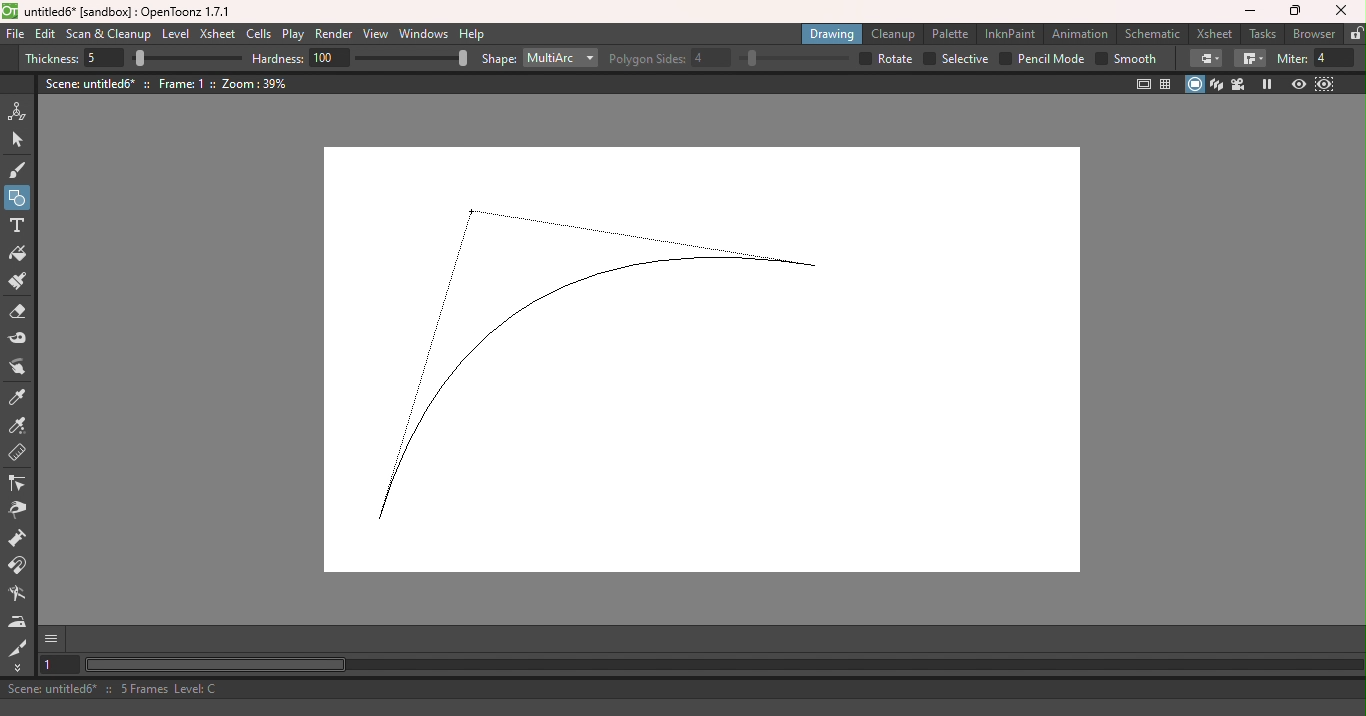 This screenshot has height=716, width=1366. Describe the element at coordinates (497, 60) in the screenshot. I see `Shape` at that location.